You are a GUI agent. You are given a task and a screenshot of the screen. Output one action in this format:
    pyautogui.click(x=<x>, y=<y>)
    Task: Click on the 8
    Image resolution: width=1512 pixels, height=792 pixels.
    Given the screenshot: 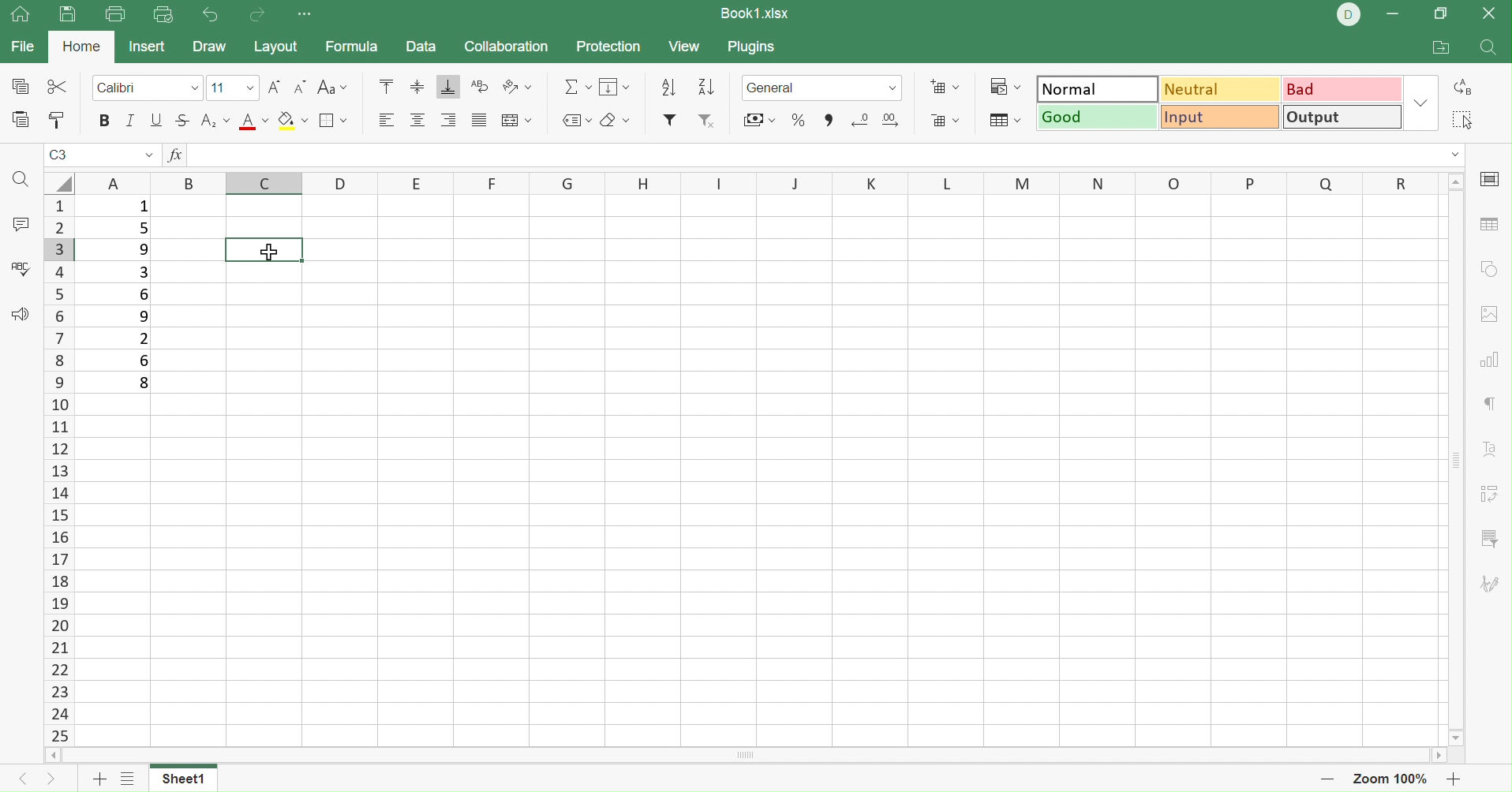 What is the action you would take?
    pyautogui.click(x=144, y=384)
    